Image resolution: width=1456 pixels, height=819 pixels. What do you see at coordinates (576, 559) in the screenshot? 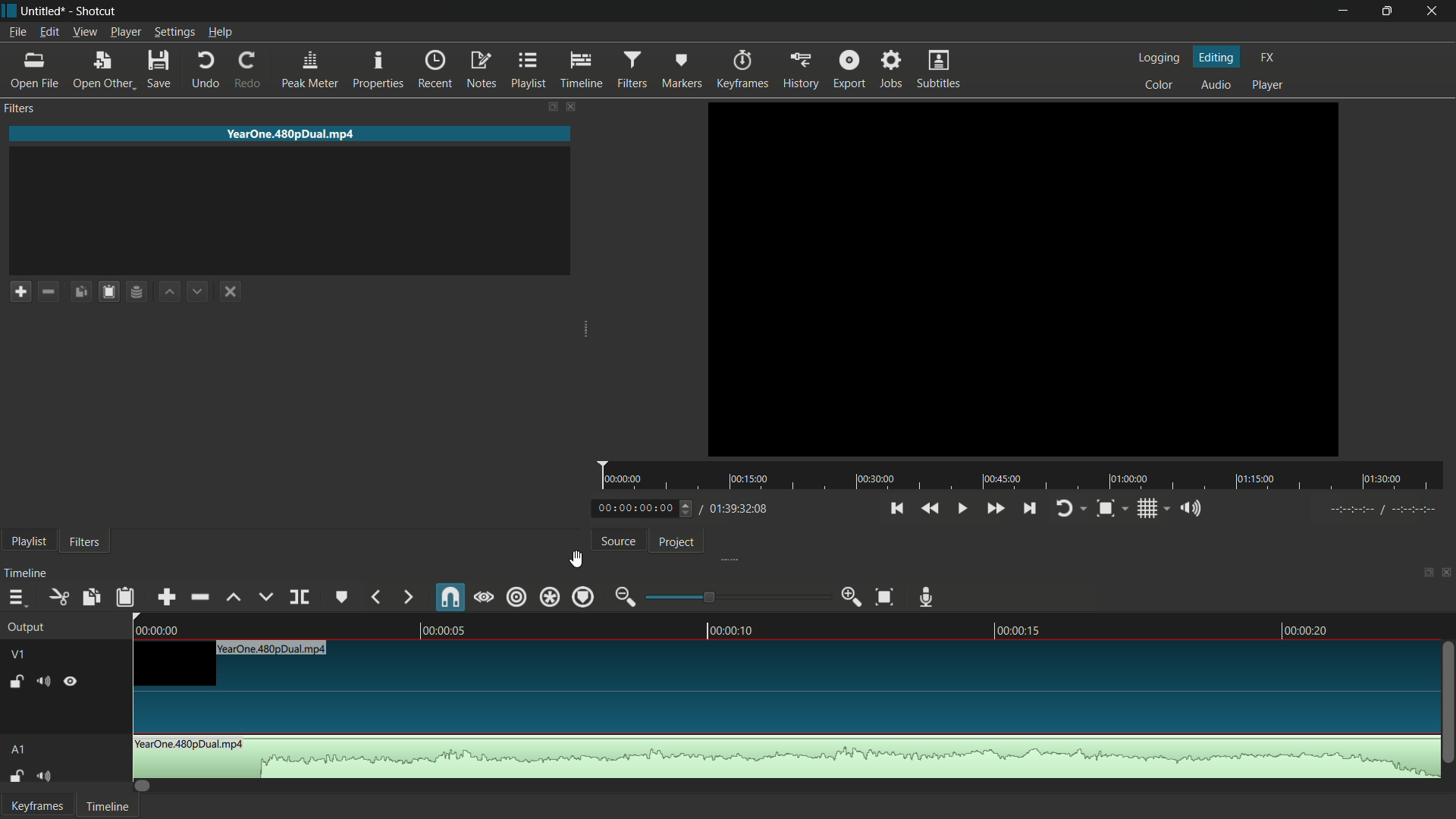
I see `cursor` at bounding box center [576, 559].